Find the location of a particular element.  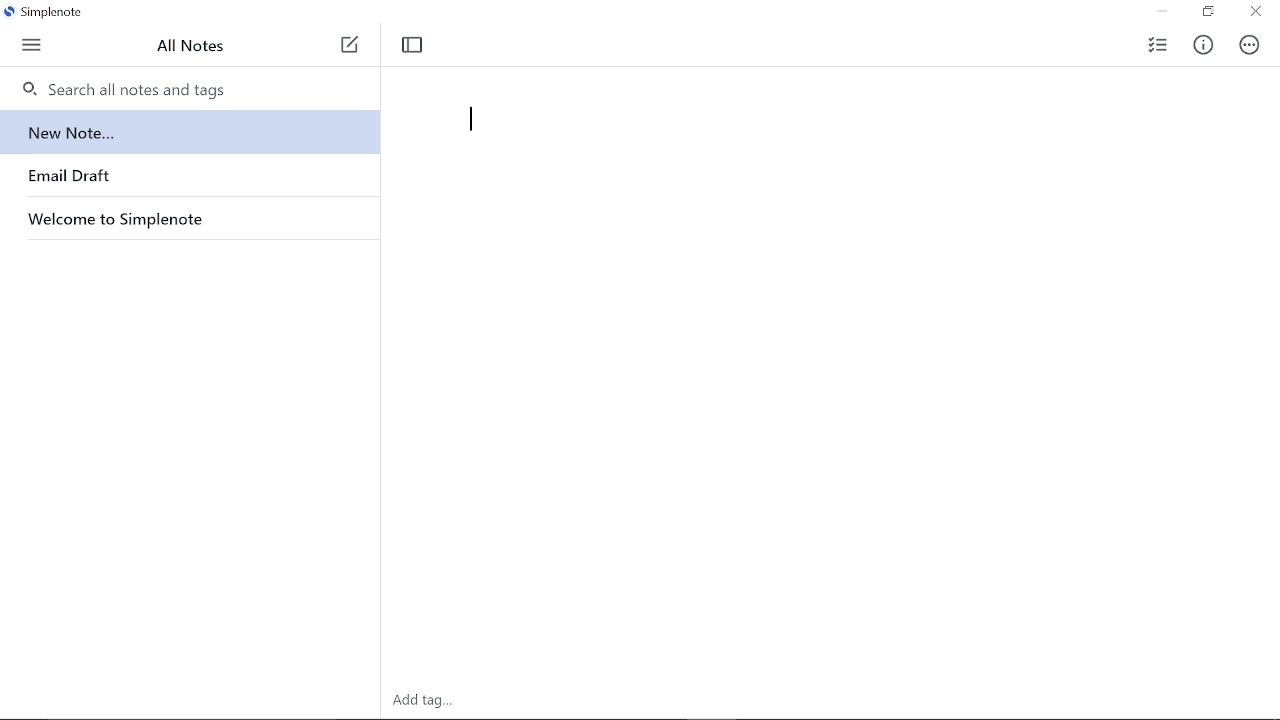

Close is located at coordinates (1256, 13).